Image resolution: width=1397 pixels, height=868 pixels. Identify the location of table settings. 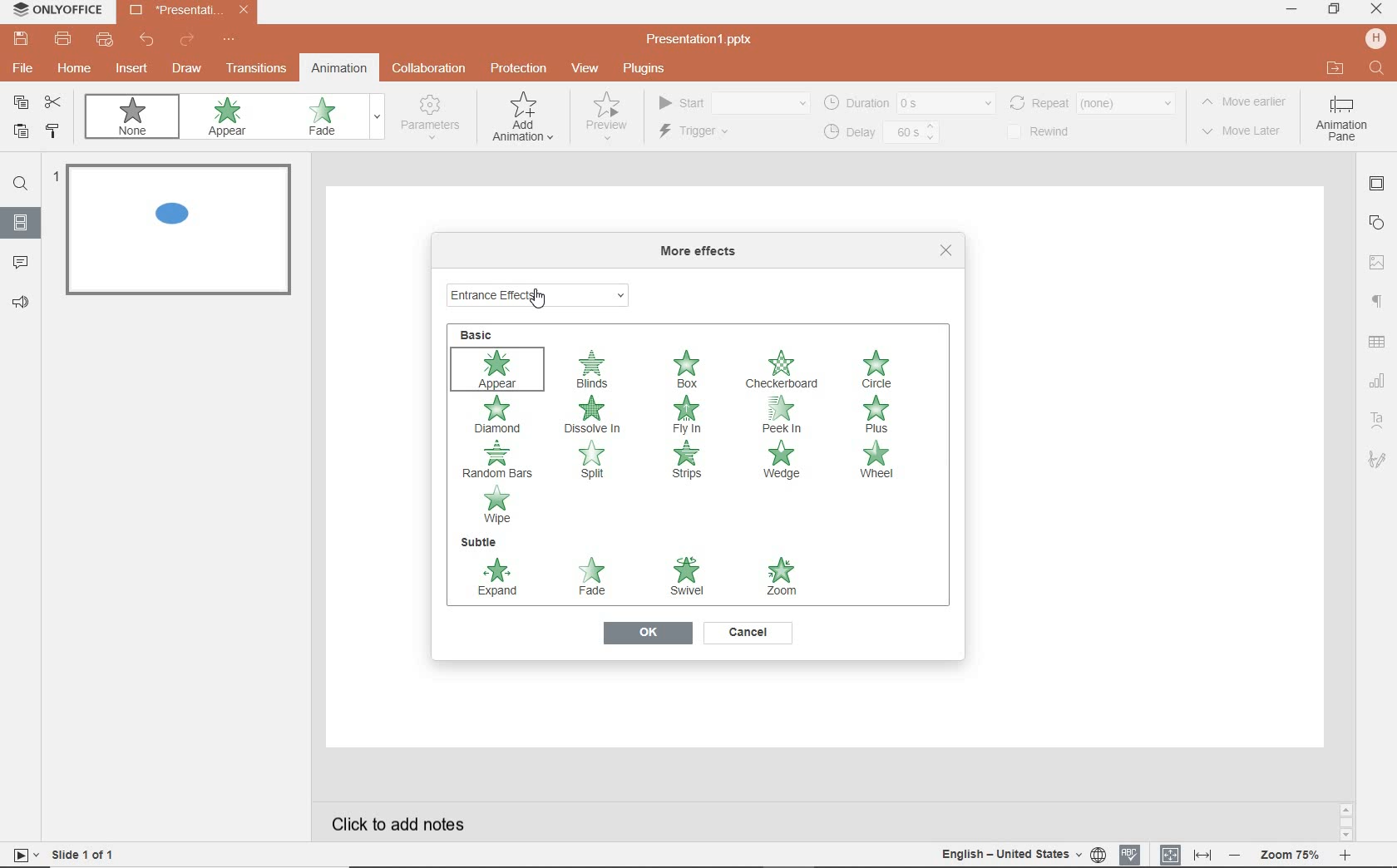
(1379, 343).